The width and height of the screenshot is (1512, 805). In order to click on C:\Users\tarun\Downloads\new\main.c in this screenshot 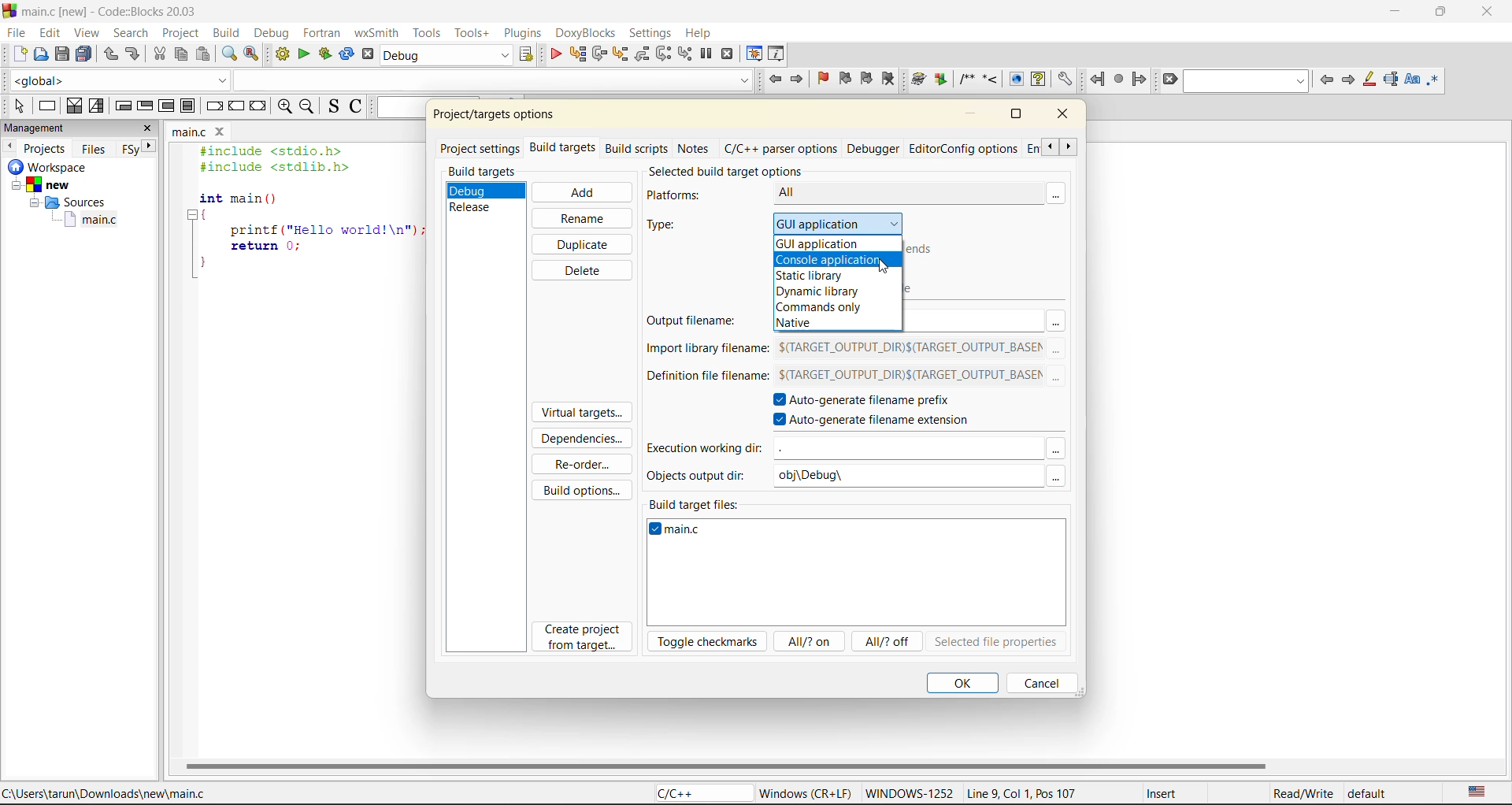, I will do `click(110, 793)`.